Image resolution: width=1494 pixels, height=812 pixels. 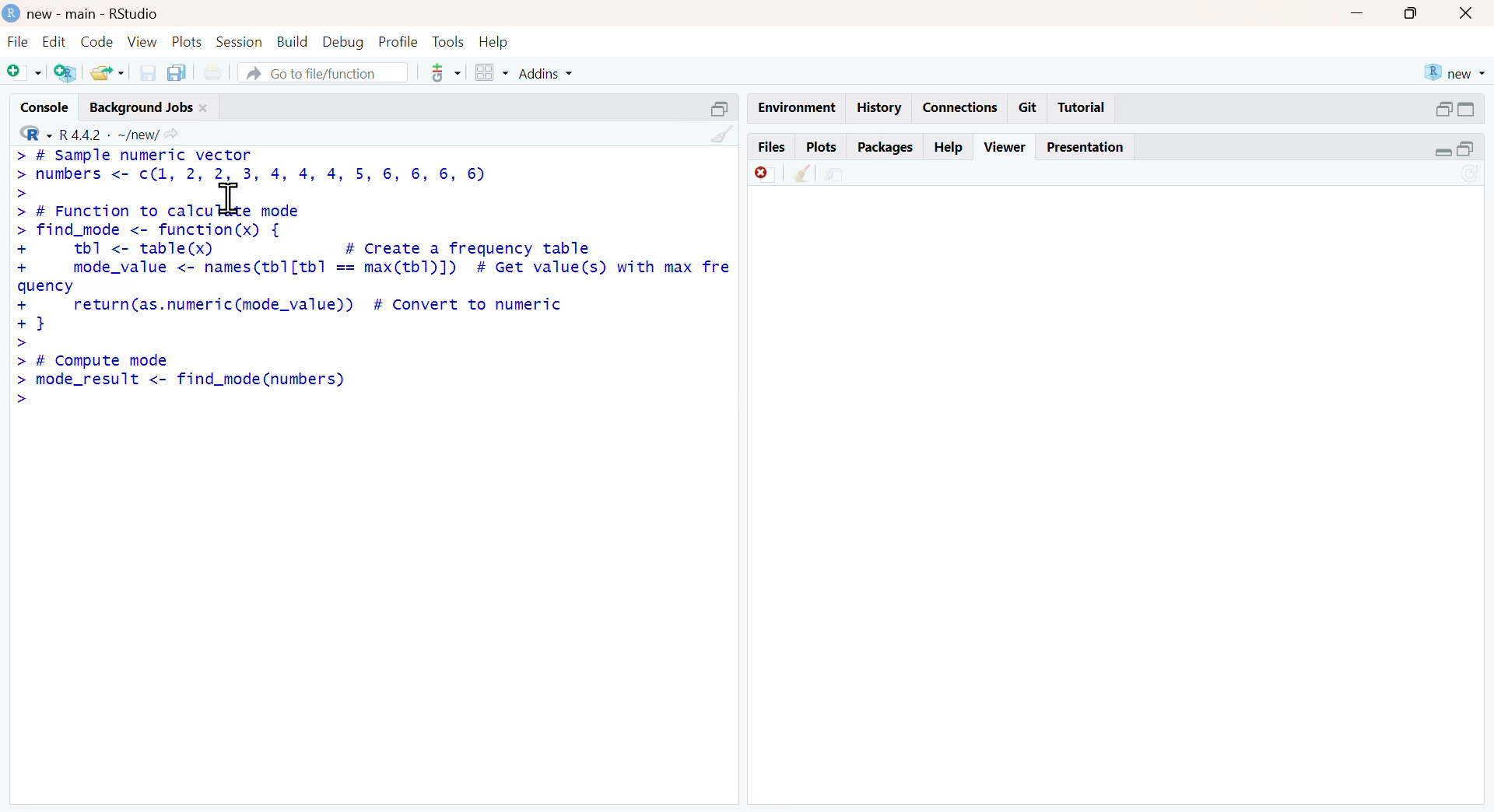 I want to click on expand/collapse , so click(x=721, y=108).